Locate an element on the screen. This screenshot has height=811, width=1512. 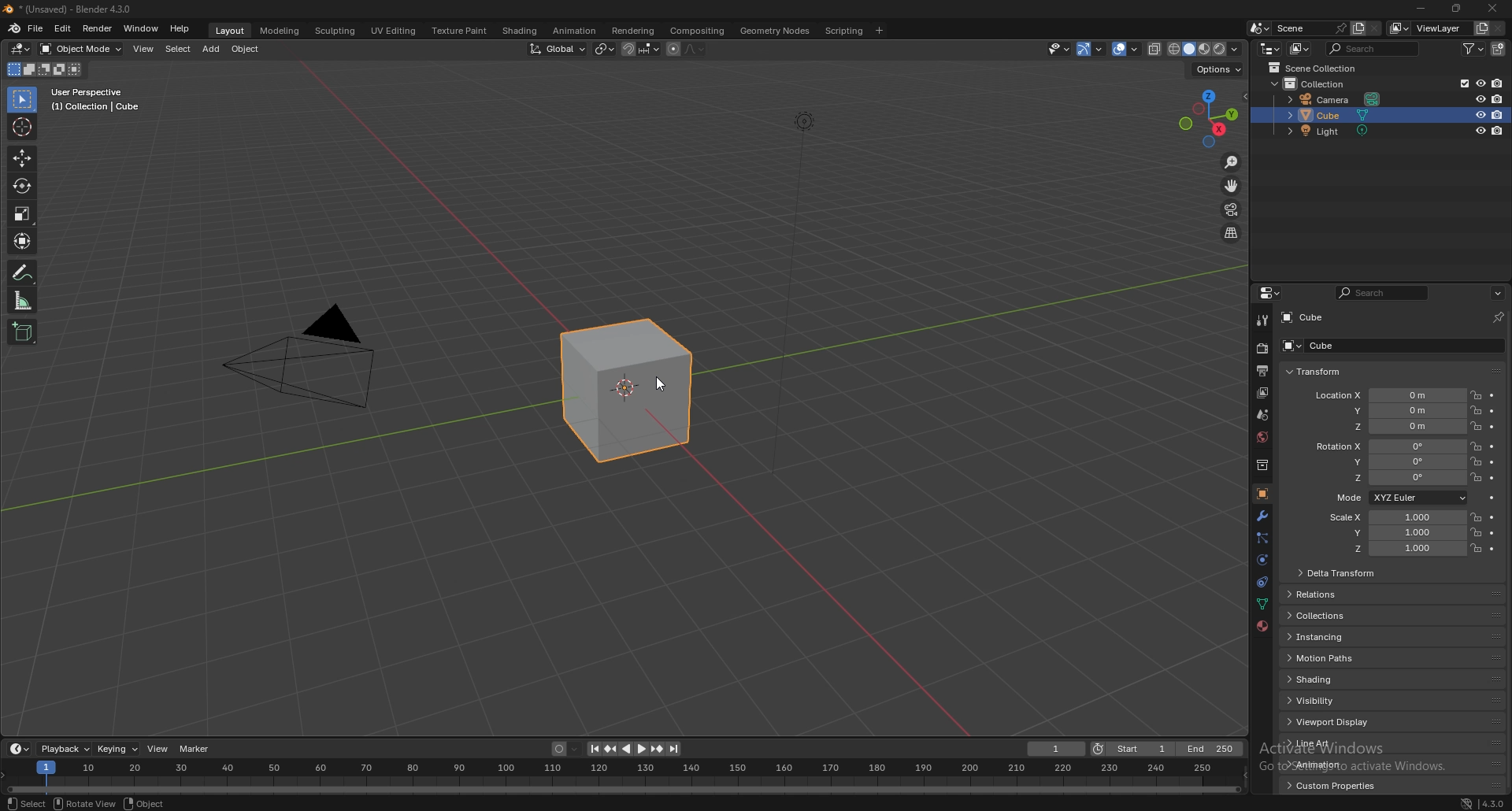
rotation z is located at coordinates (1388, 477).